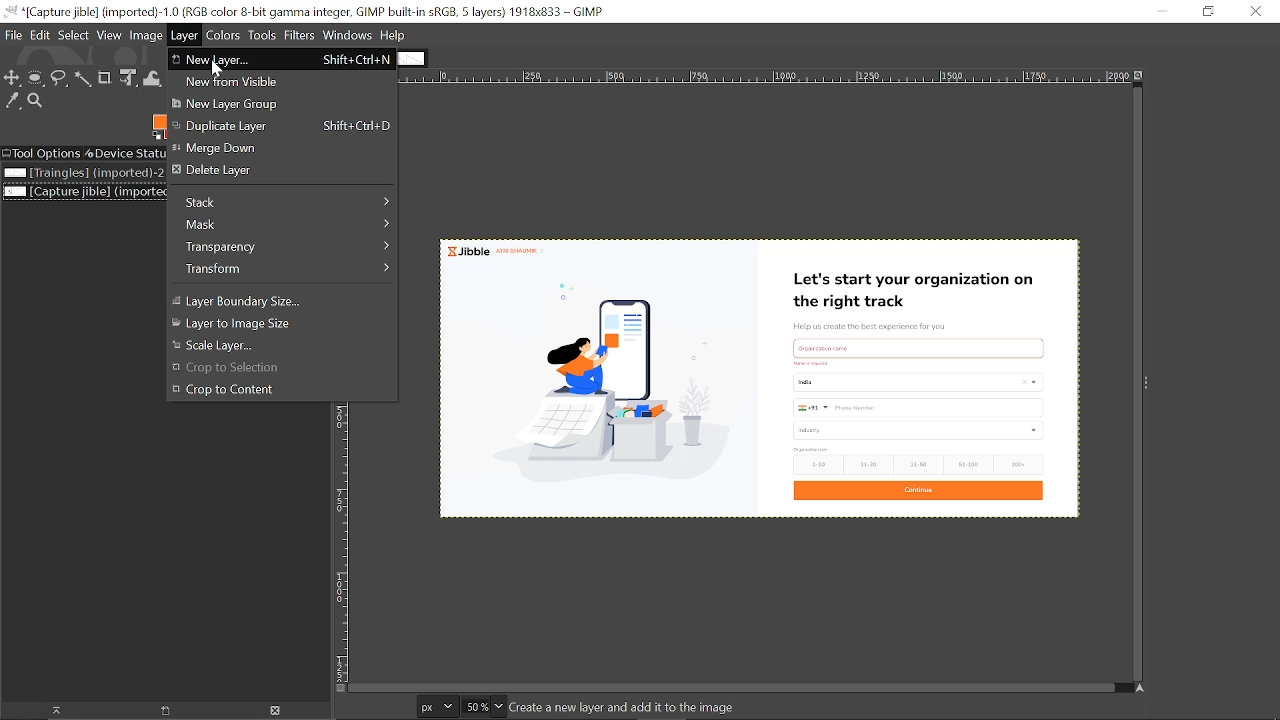  What do you see at coordinates (129, 154) in the screenshot?
I see `Device status` at bounding box center [129, 154].